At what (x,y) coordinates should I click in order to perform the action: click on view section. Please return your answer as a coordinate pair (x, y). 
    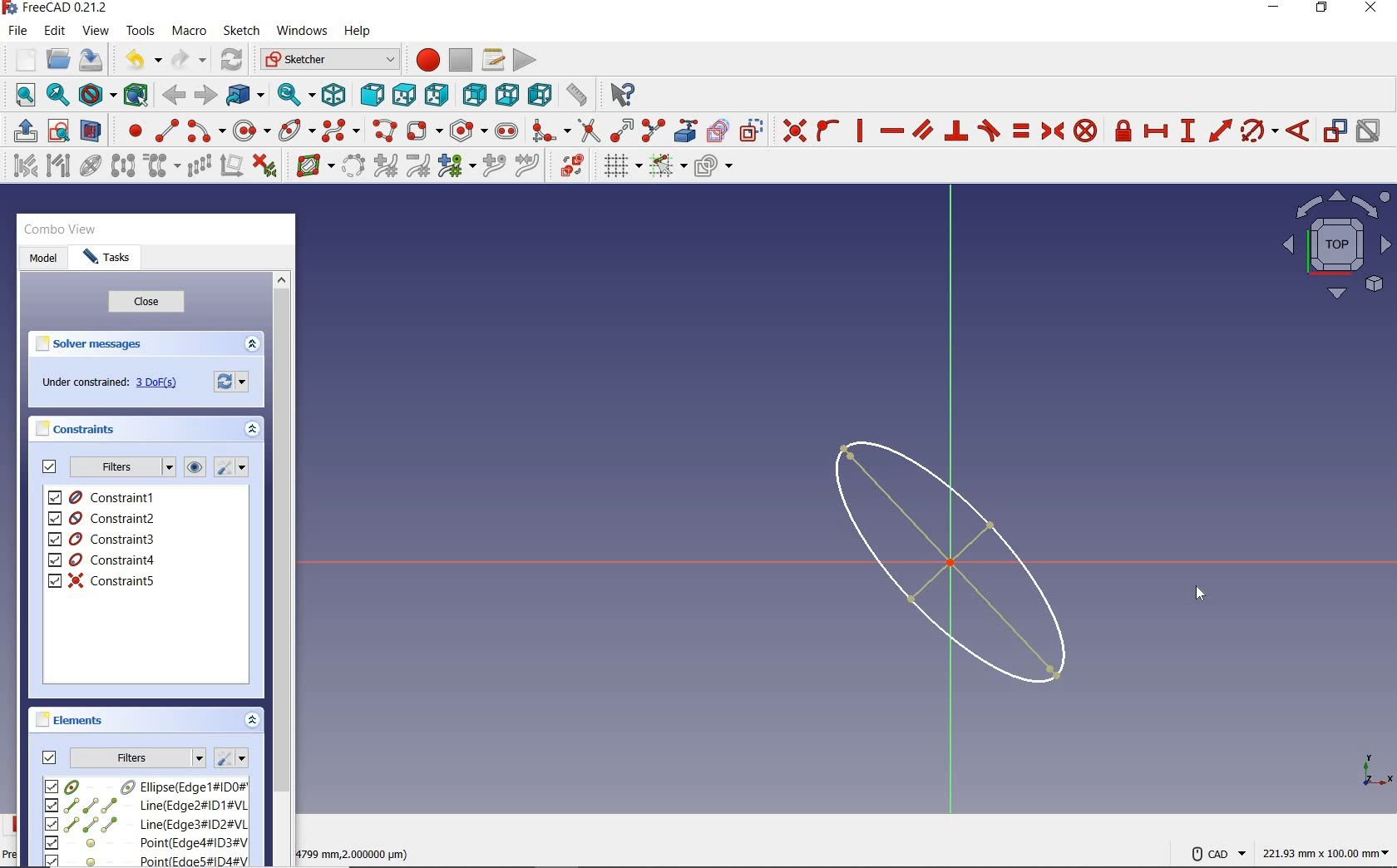
    Looking at the image, I should click on (94, 131).